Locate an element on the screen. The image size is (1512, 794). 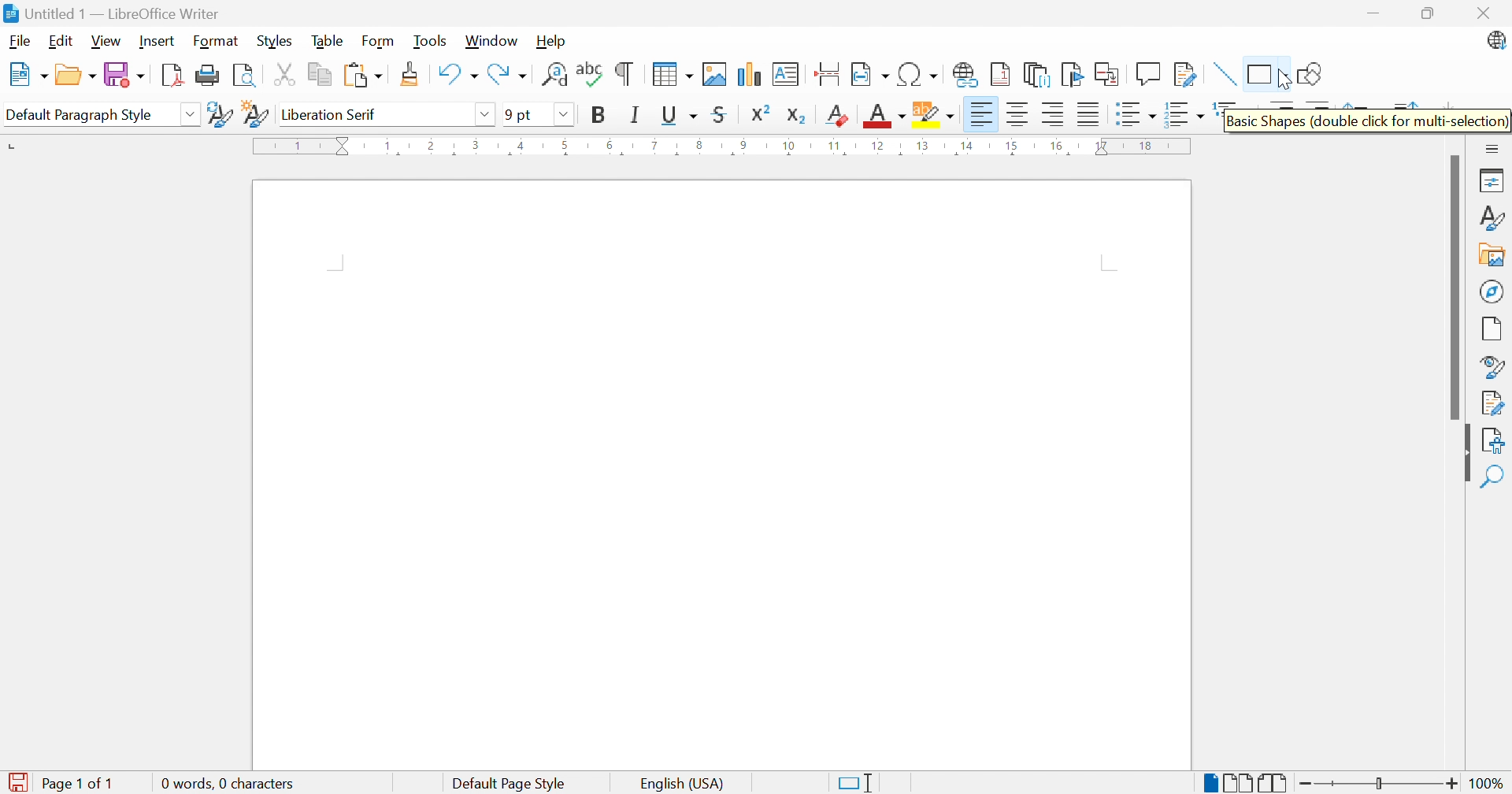
Insert comment is located at coordinates (1151, 73).